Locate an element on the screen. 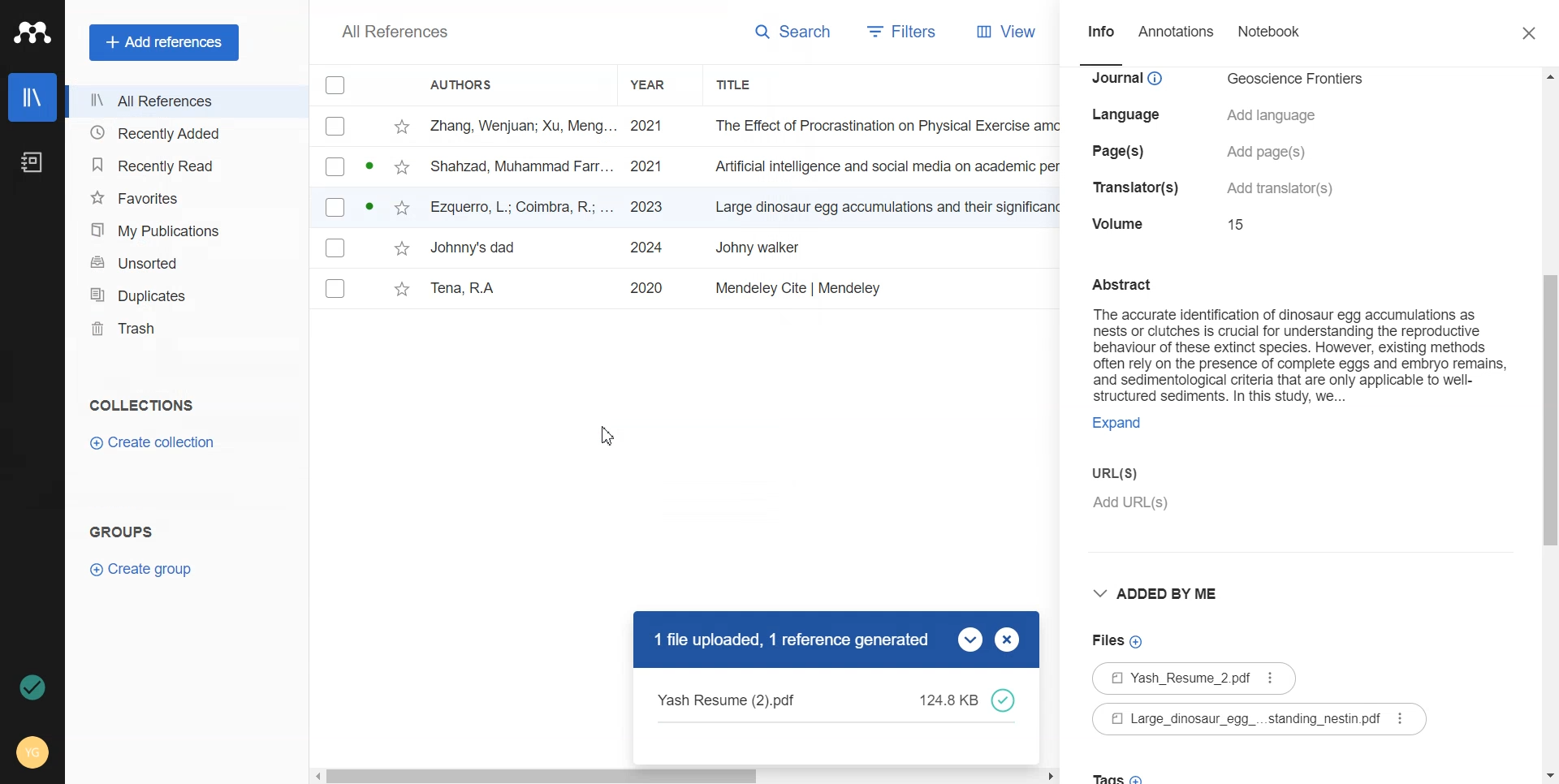 This screenshot has width=1559, height=784. Checkbox is located at coordinates (337, 85).